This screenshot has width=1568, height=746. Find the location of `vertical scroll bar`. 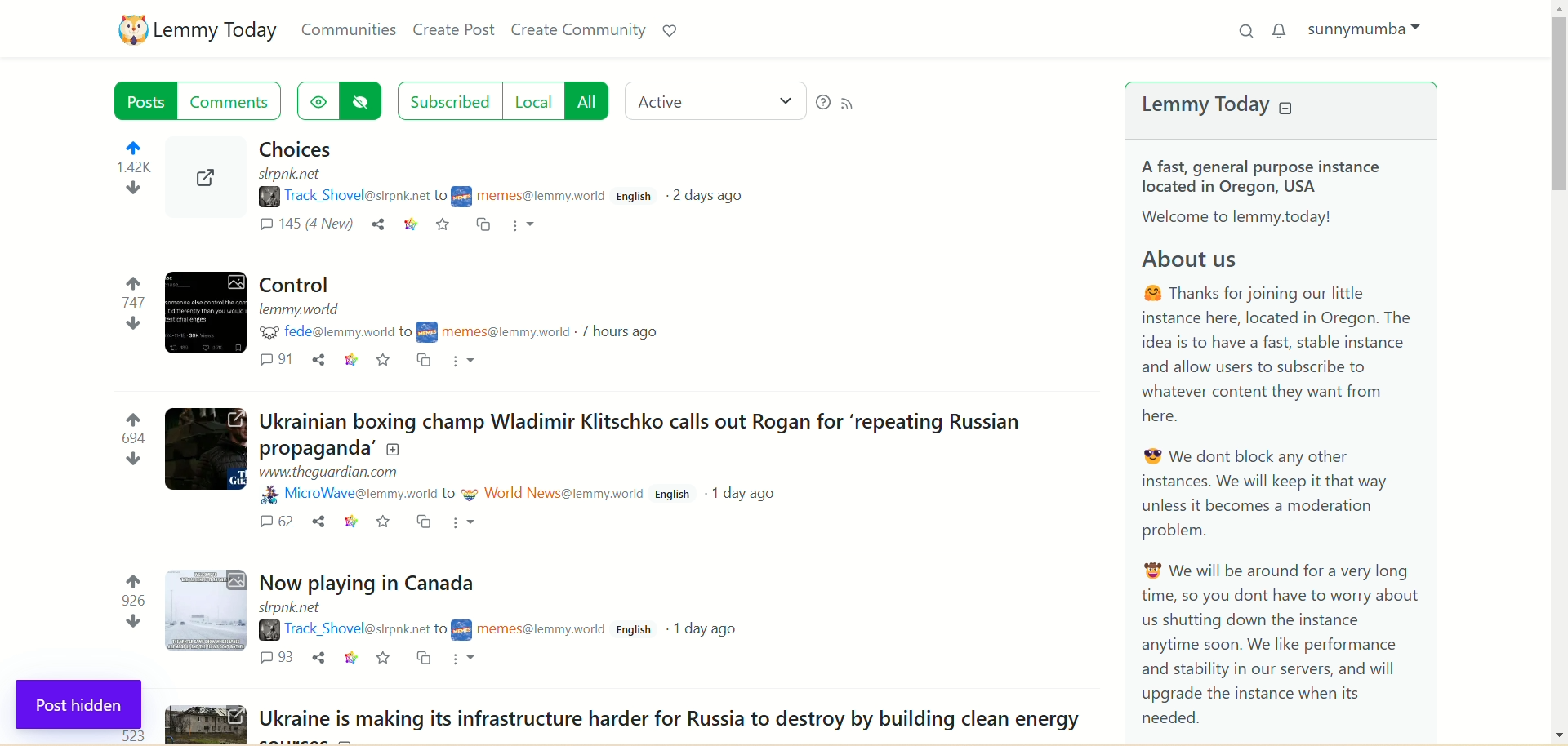

vertical scroll bar is located at coordinates (1557, 371).